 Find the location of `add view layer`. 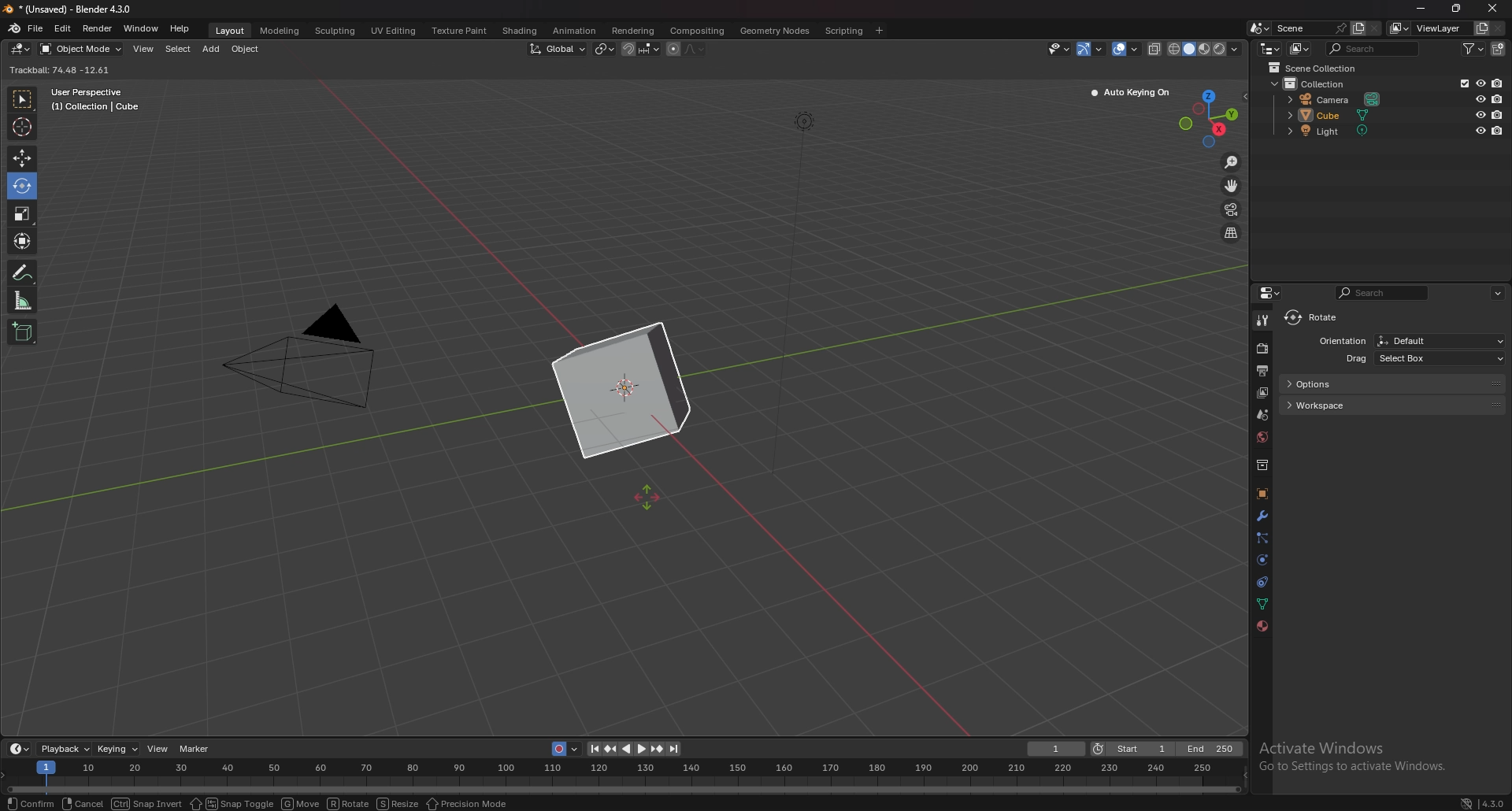

add view layer is located at coordinates (1482, 28).